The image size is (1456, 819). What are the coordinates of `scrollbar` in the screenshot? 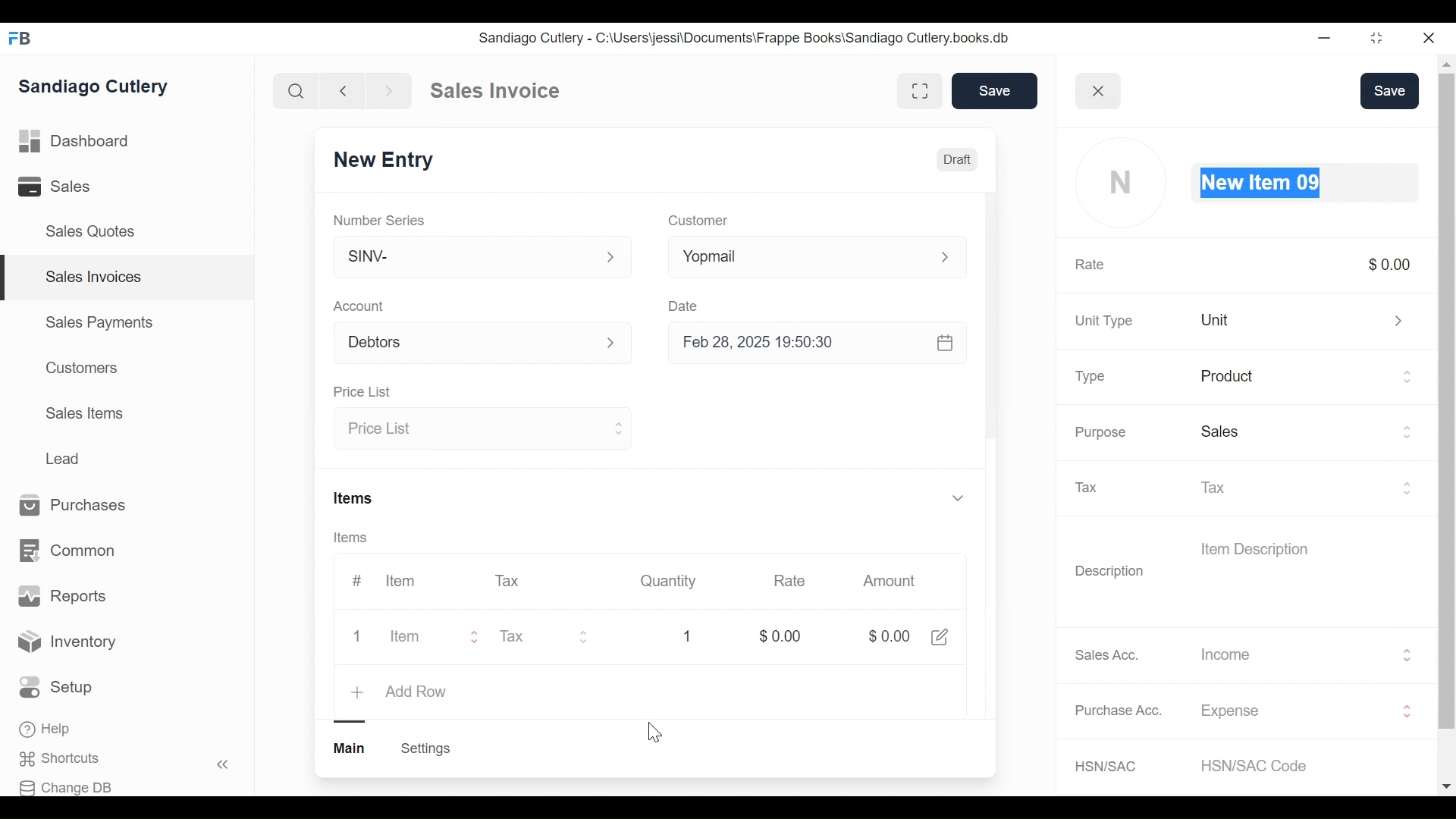 It's located at (989, 313).